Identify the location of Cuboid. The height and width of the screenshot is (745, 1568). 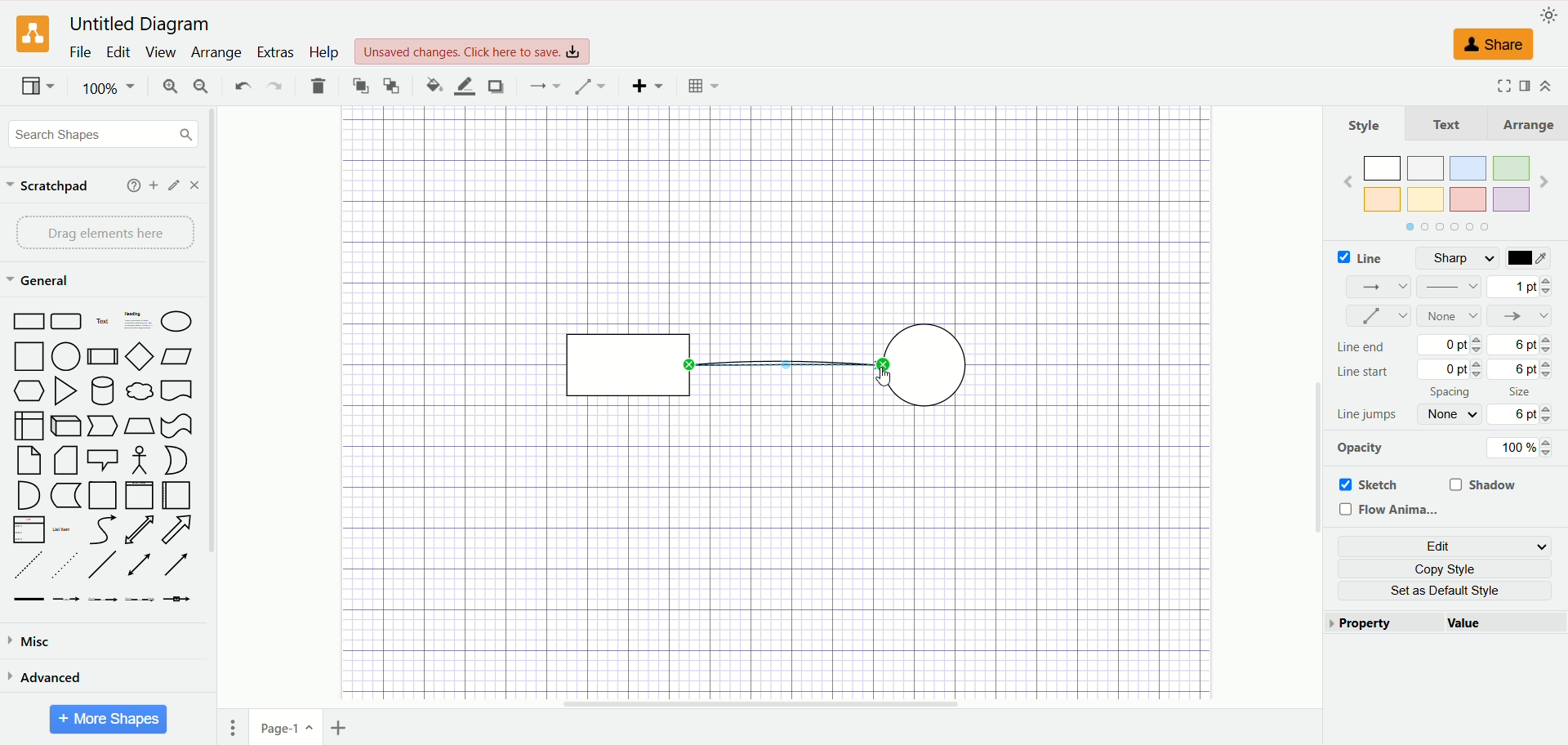
(68, 426).